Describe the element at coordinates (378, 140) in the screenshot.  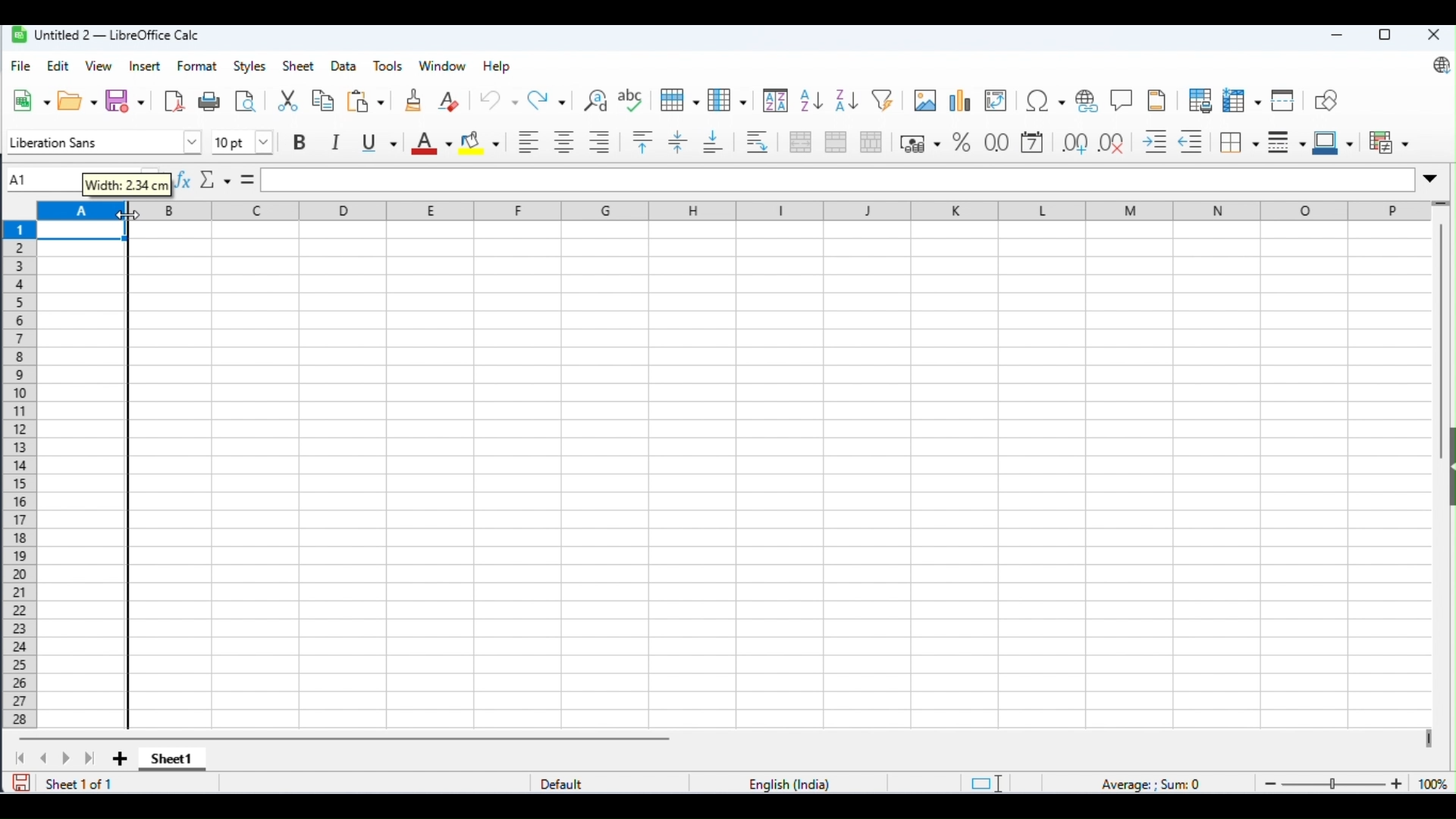
I see `underline` at that location.